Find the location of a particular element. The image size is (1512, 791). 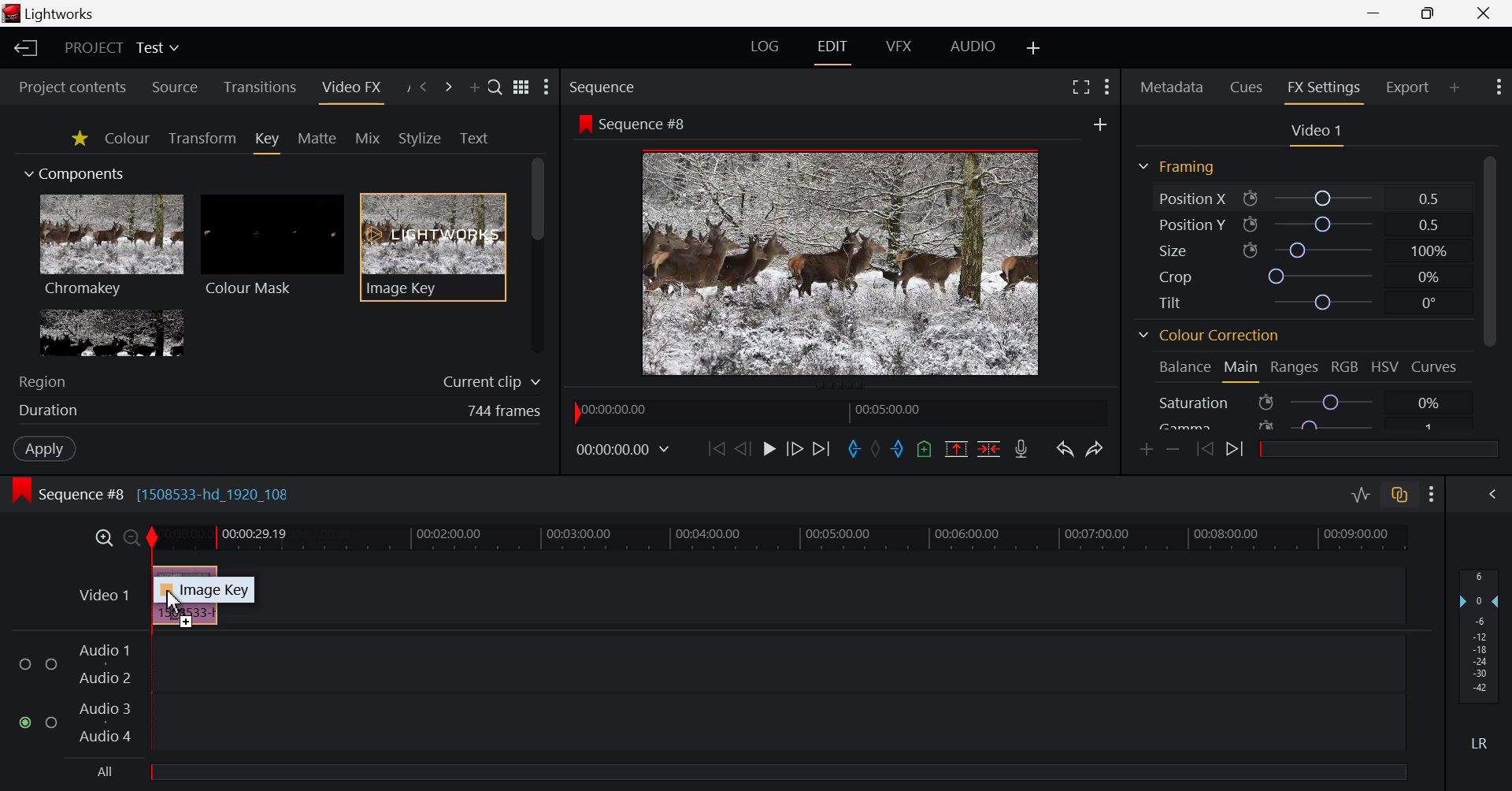

LOG Layout is located at coordinates (769, 47).